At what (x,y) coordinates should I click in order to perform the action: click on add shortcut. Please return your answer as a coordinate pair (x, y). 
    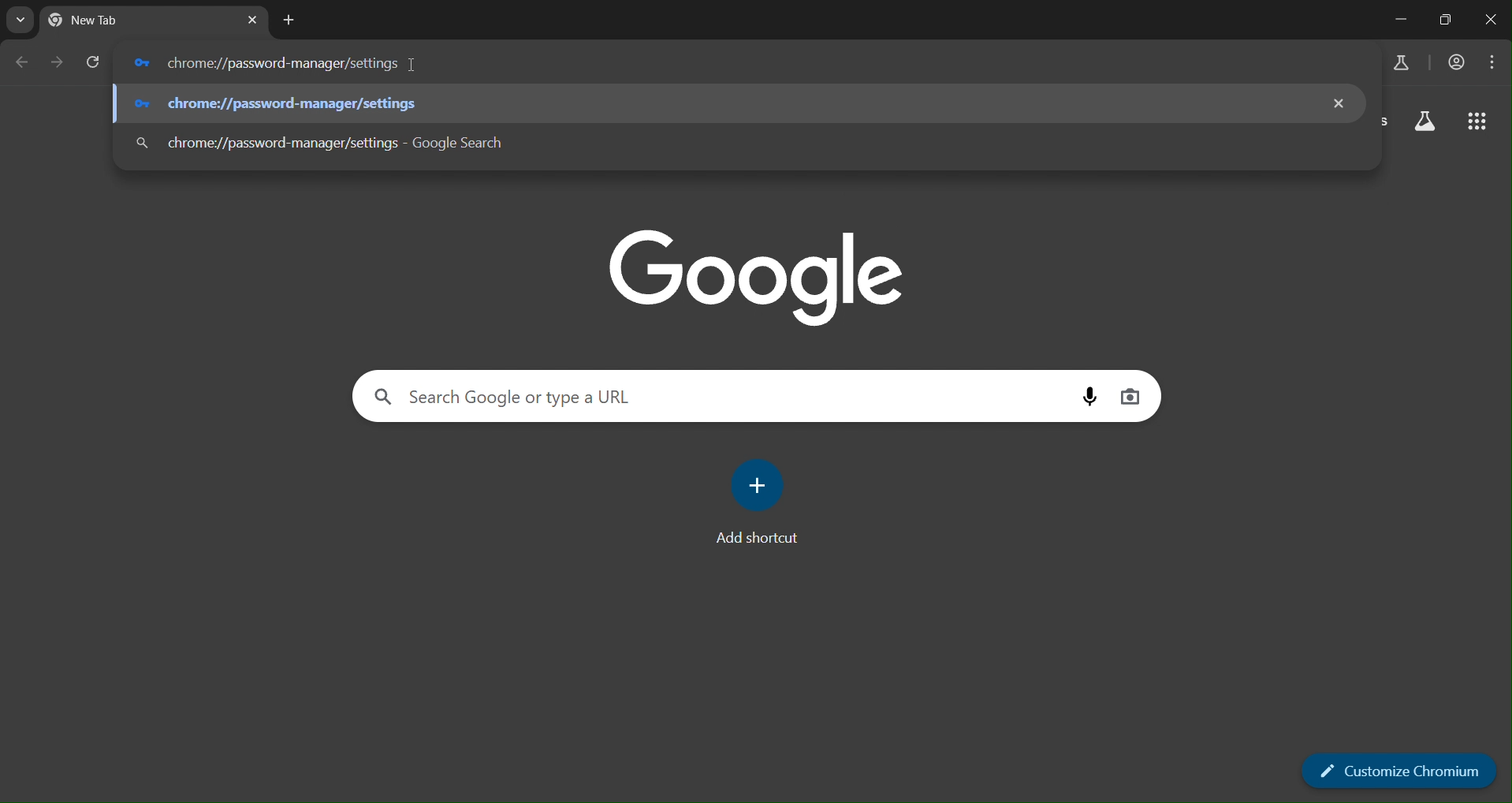
    Looking at the image, I should click on (765, 499).